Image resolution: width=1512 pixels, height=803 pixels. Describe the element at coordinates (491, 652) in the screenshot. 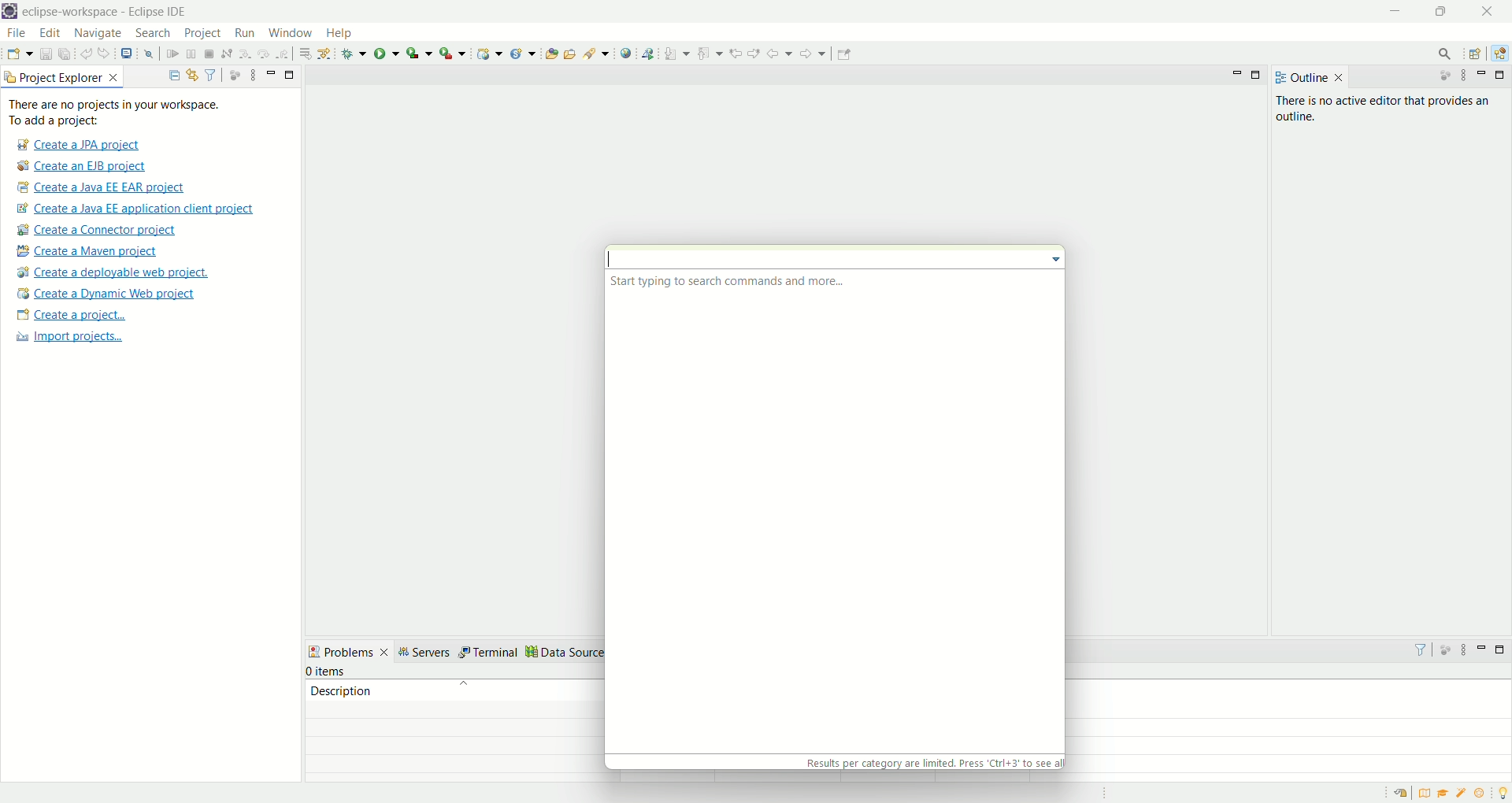

I see `terminal` at that location.